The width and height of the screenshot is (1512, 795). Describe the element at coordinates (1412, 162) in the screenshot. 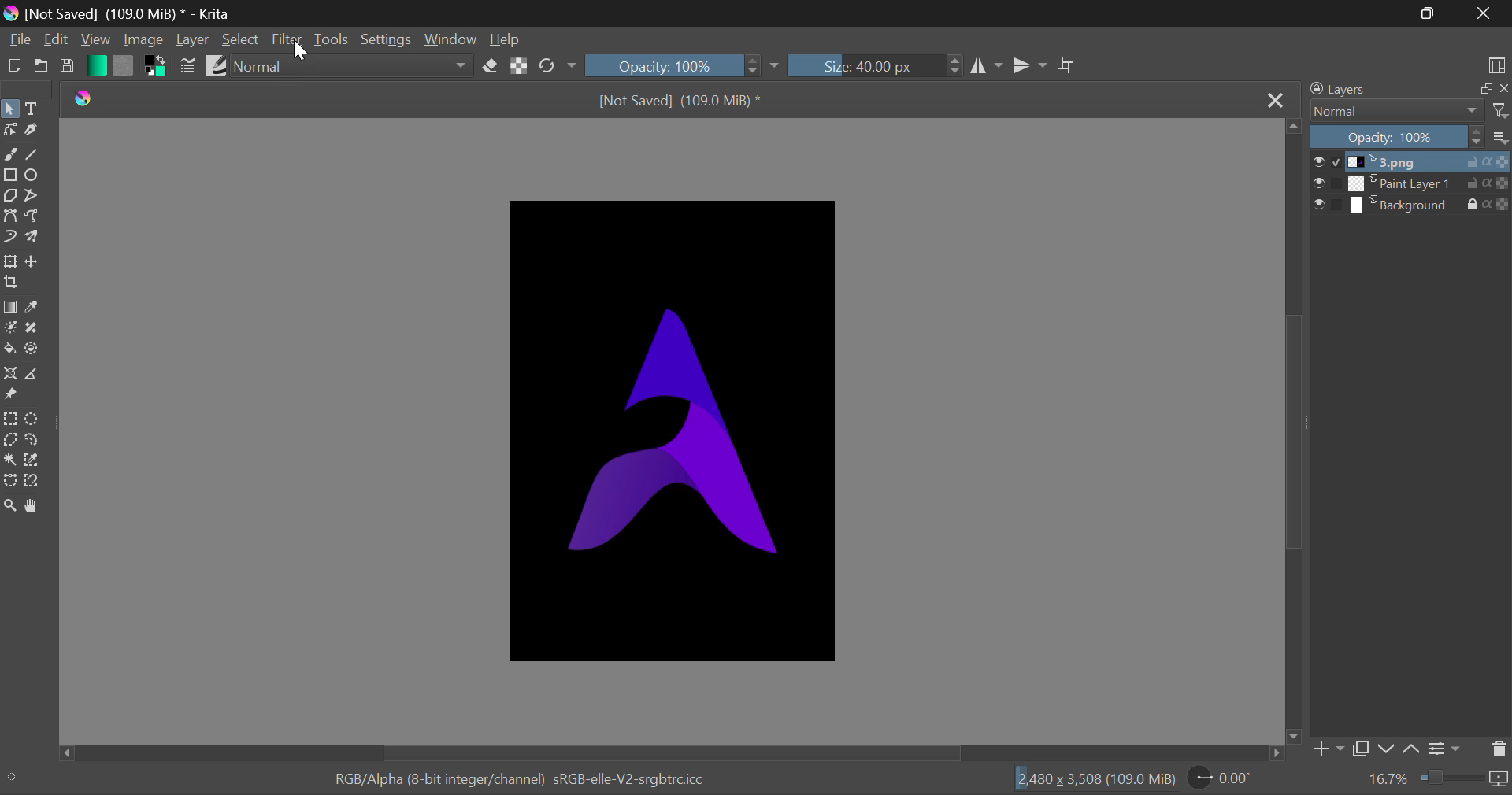

I see `3.png` at that location.